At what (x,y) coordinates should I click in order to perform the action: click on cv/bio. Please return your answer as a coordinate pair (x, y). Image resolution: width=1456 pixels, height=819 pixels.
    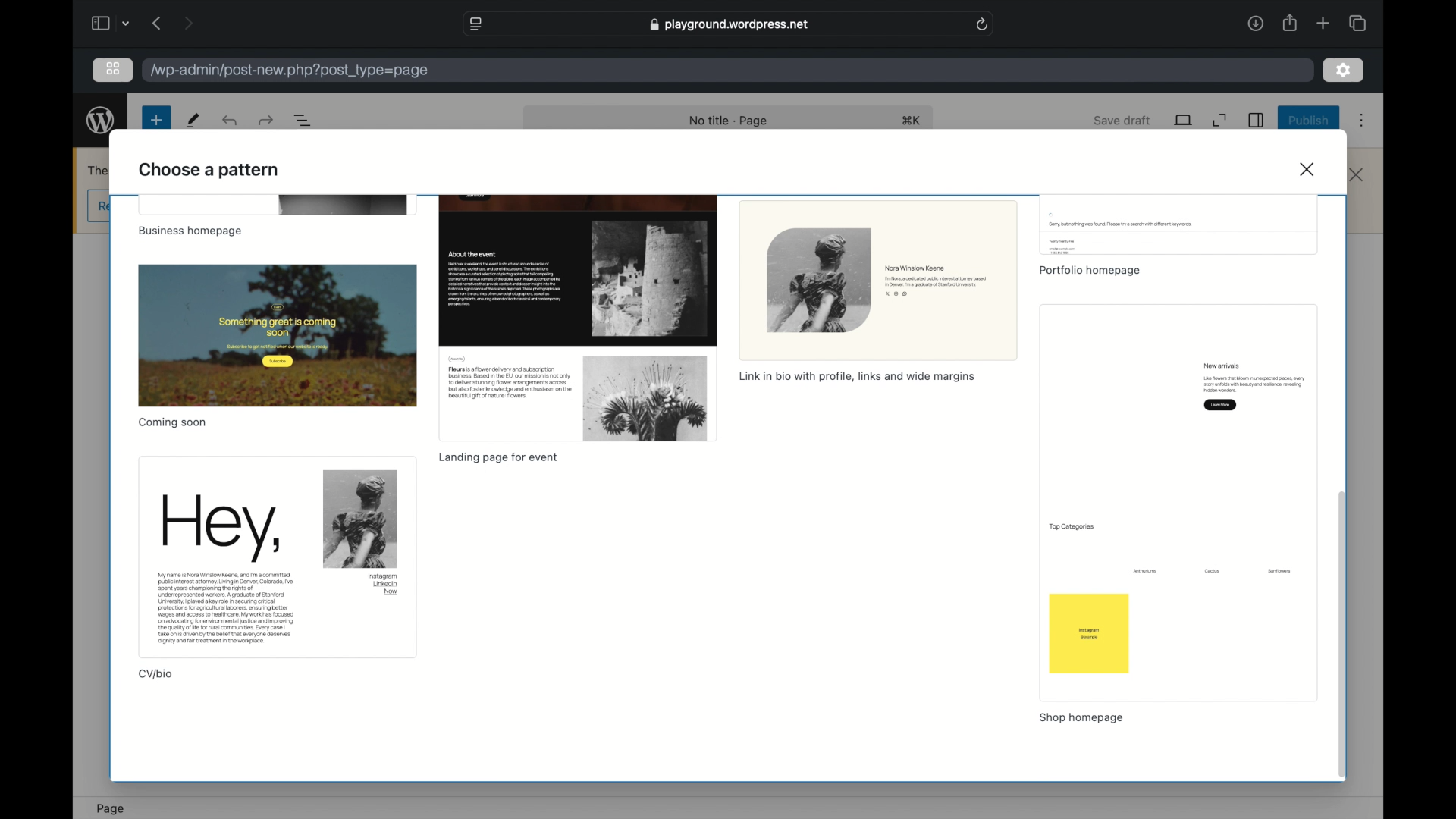
    Looking at the image, I should click on (156, 675).